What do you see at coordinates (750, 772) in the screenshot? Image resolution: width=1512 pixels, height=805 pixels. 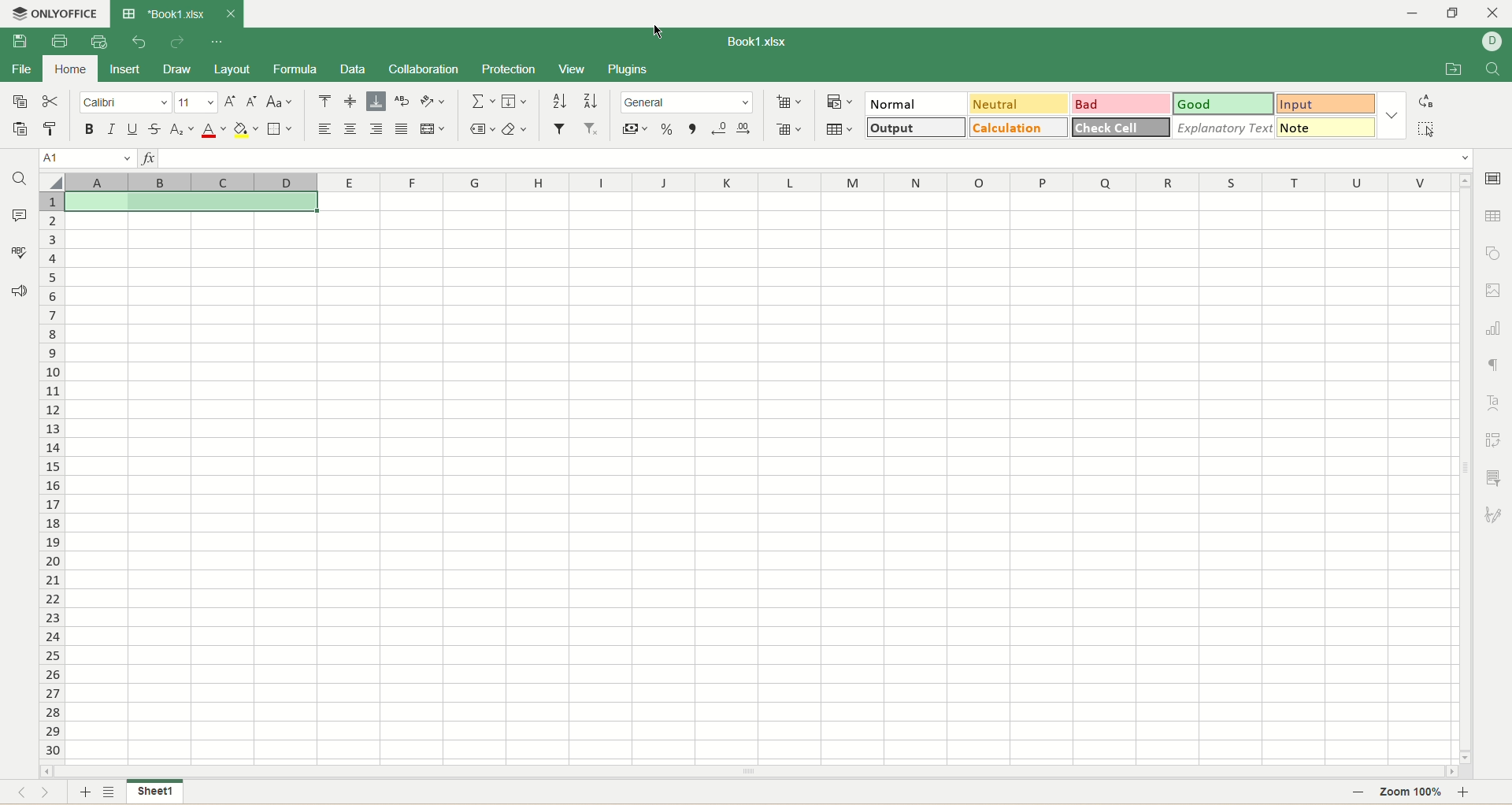 I see `horizontal scroll bar` at bounding box center [750, 772].